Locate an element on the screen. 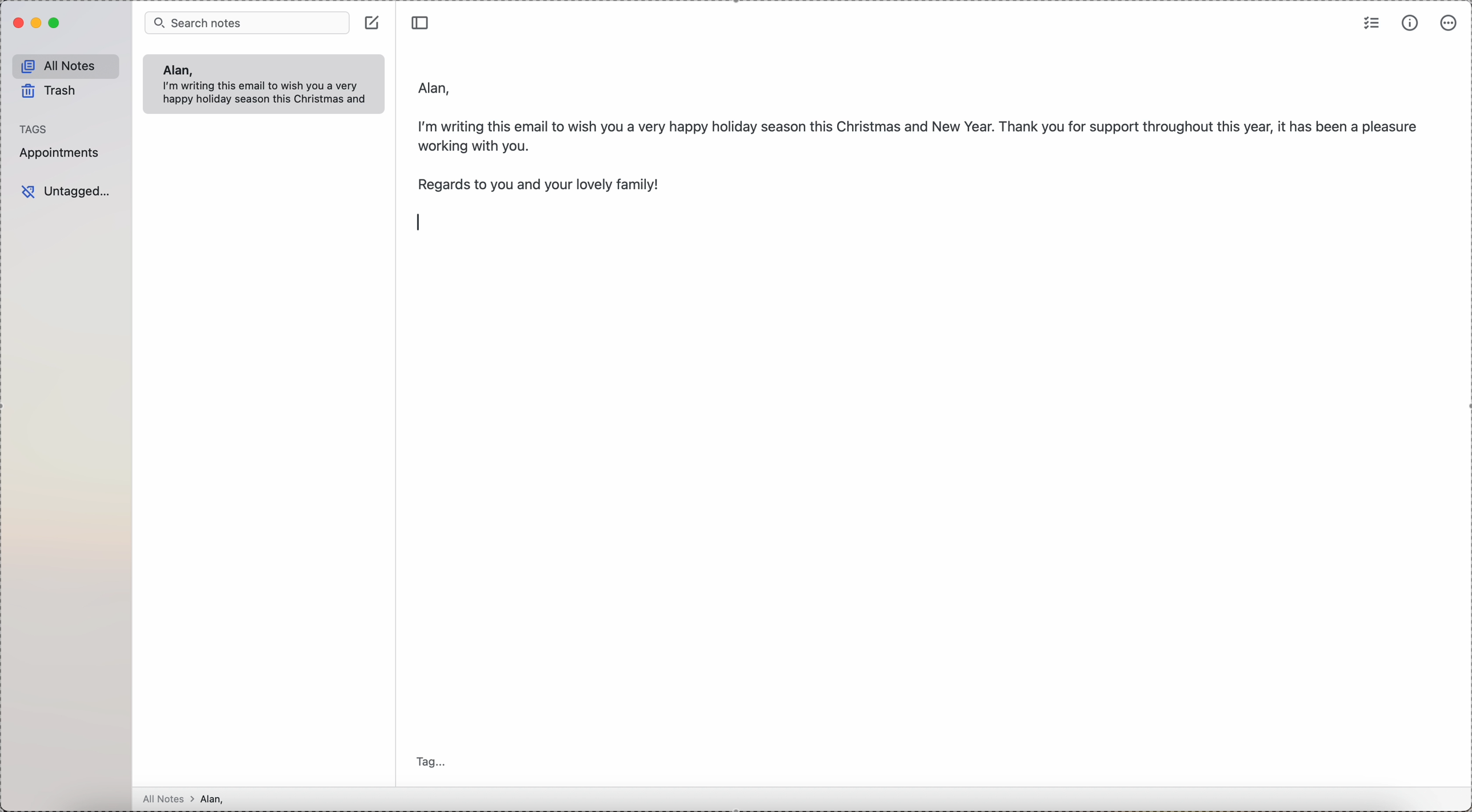  metrics is located at coordinates (1410, 23).